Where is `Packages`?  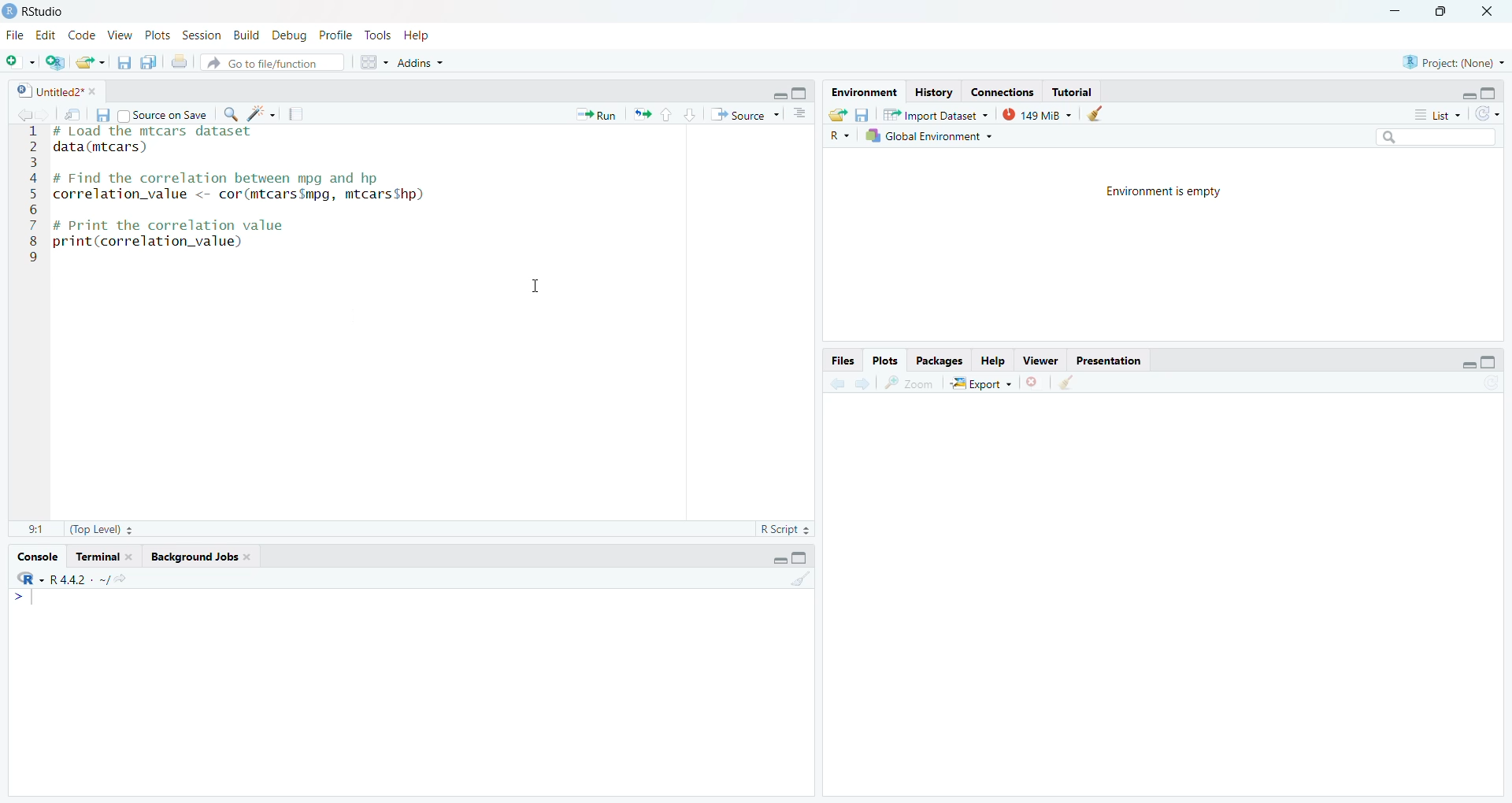 Packages is located at coordinates (943, 358).